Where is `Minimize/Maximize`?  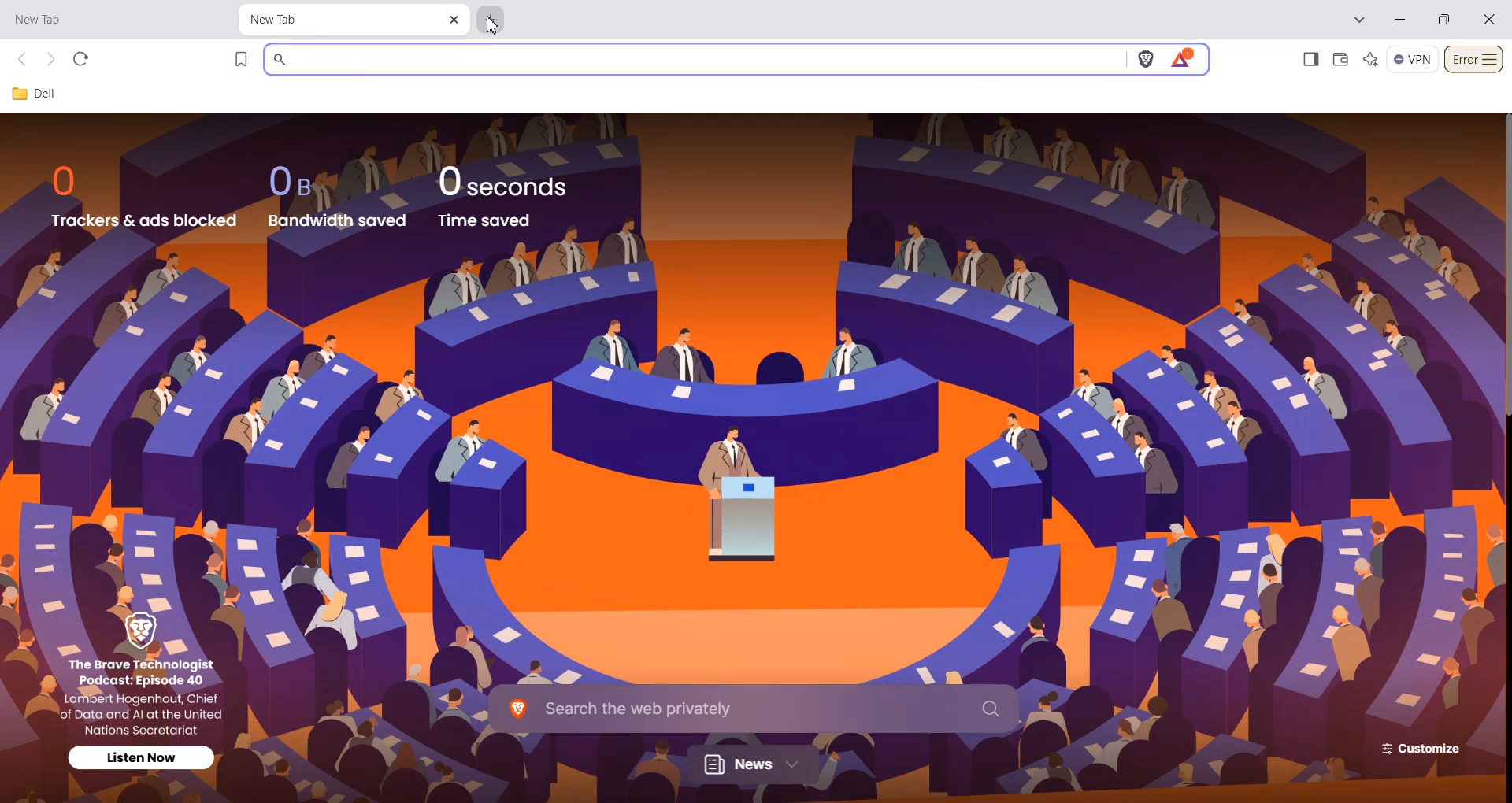
Minimize/Maximize is located at coordinates (1445, 20).